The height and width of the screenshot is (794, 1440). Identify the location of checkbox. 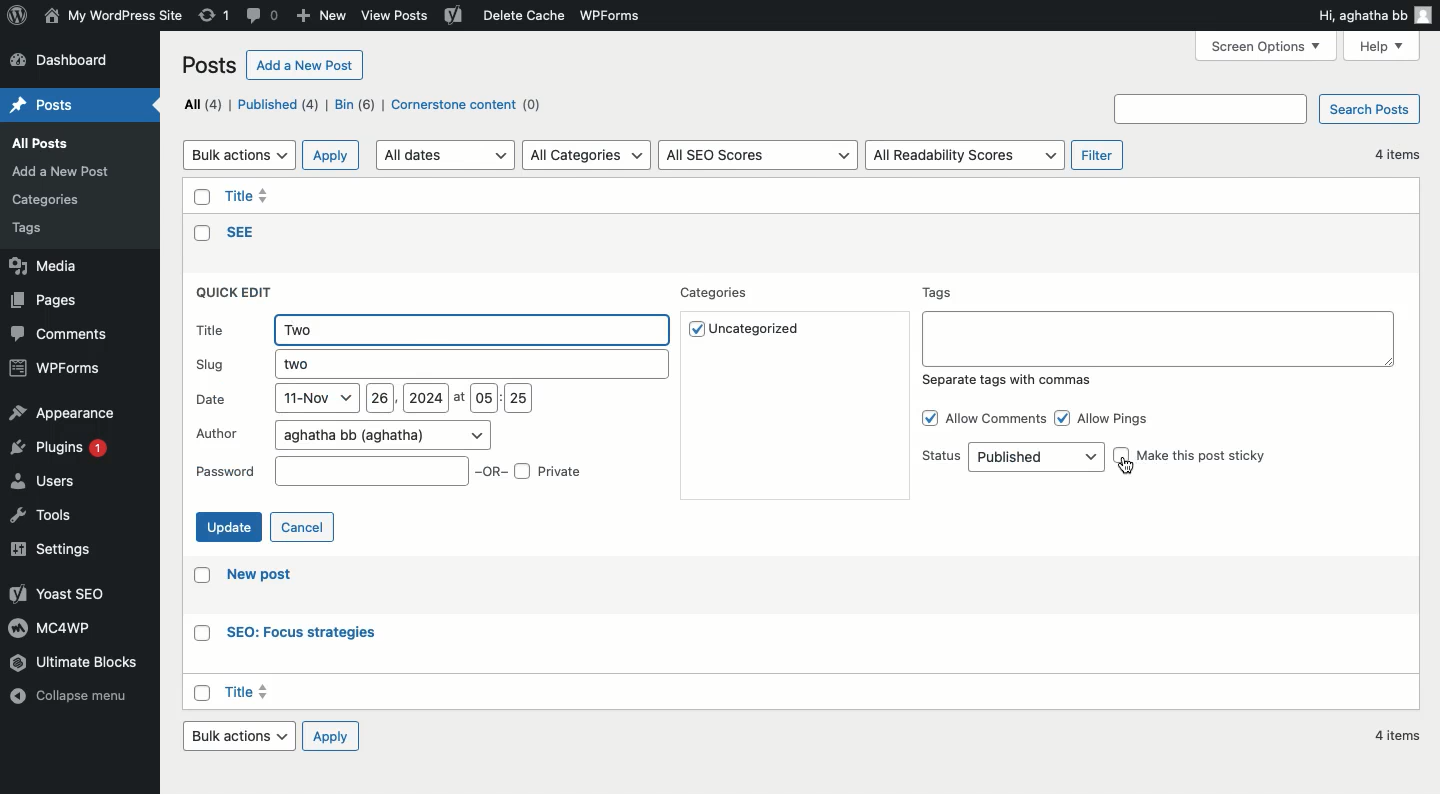
(198, 195).